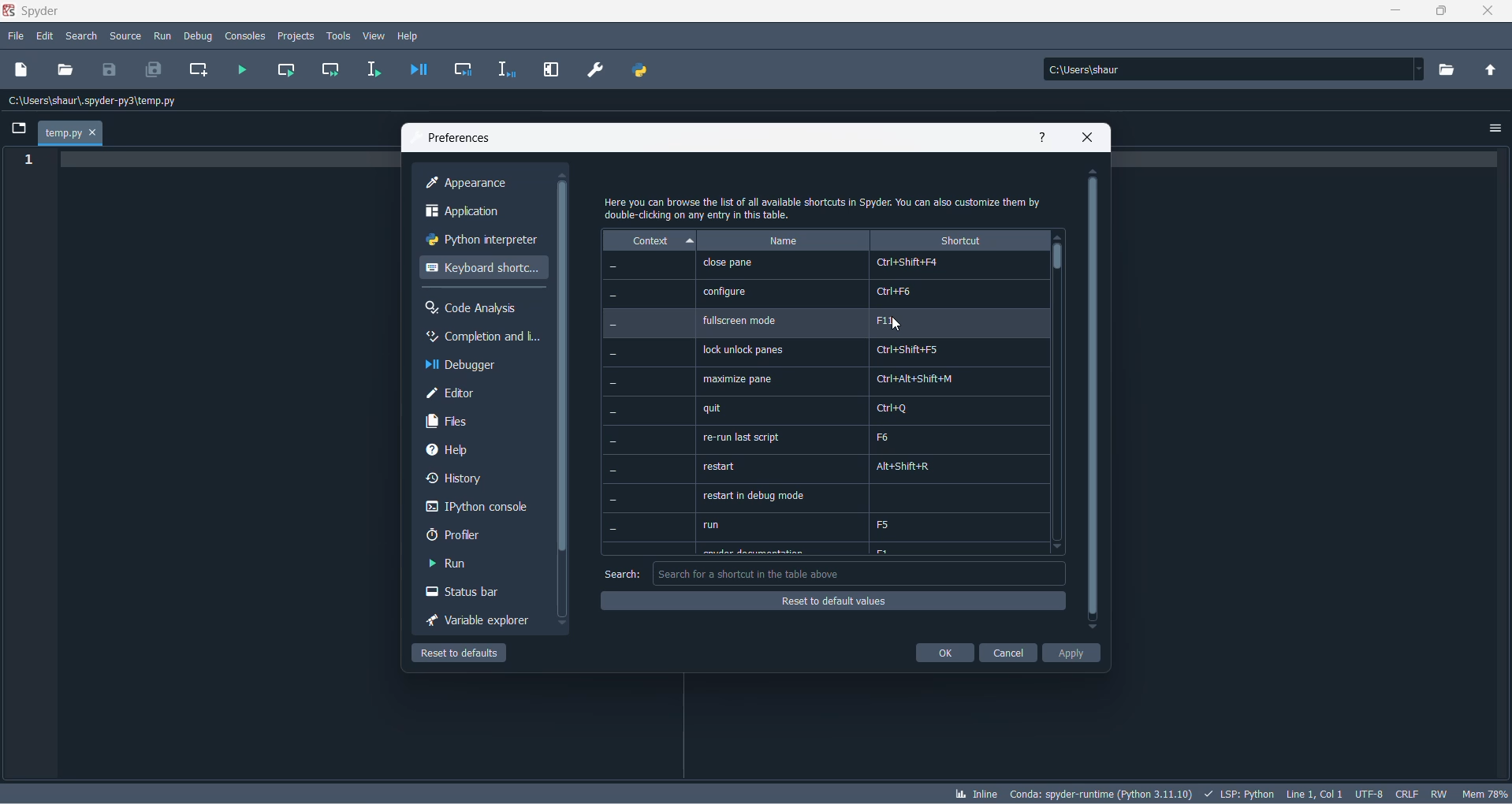 This screenshot has height=804, width=1512. What do you see at coordinates (887, 524) in the screenshot?
I see `F5` at bounding box center [887, 524].